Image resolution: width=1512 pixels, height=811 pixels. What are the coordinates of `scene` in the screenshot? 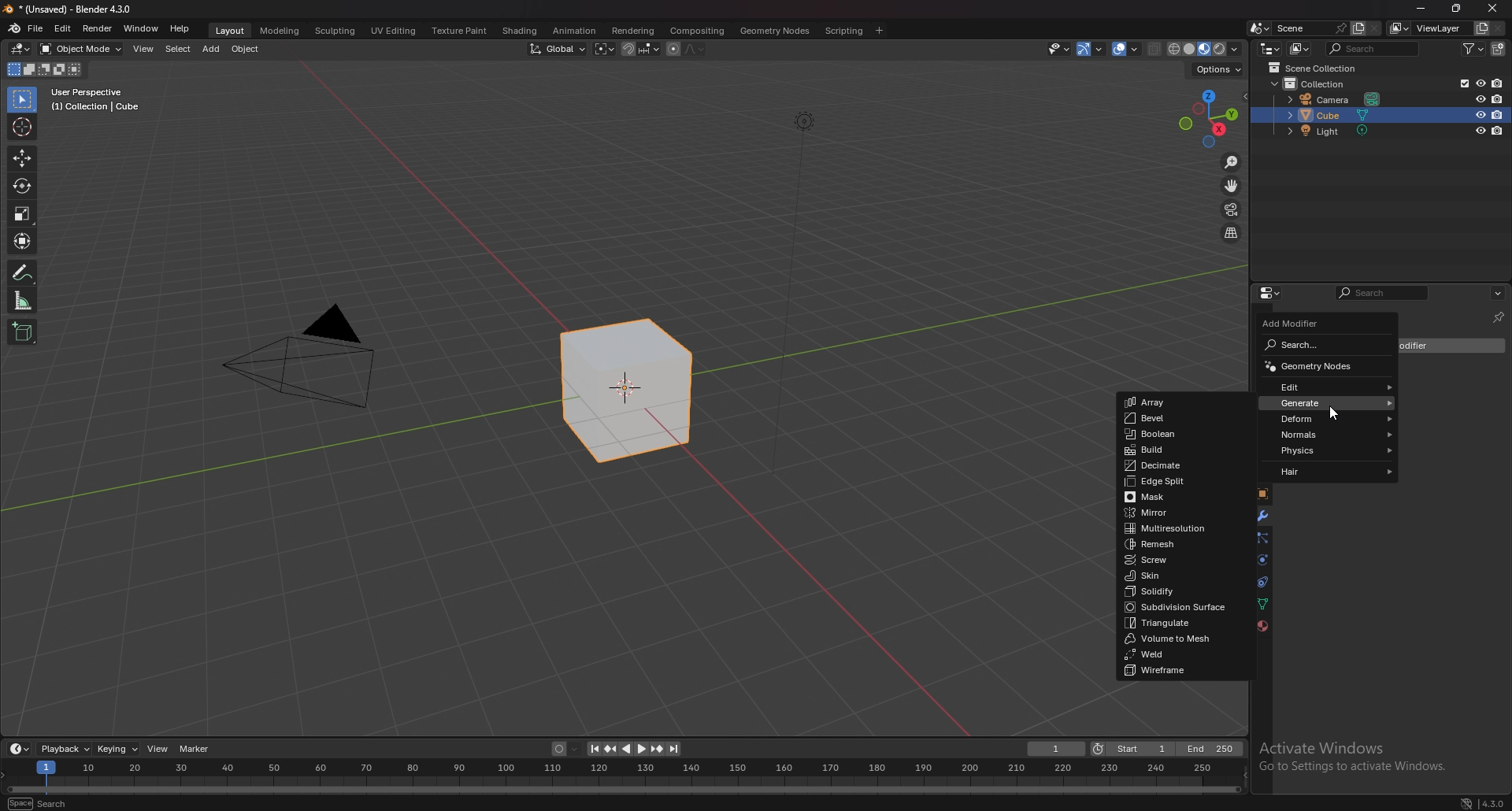 It's located at (1309, 28).